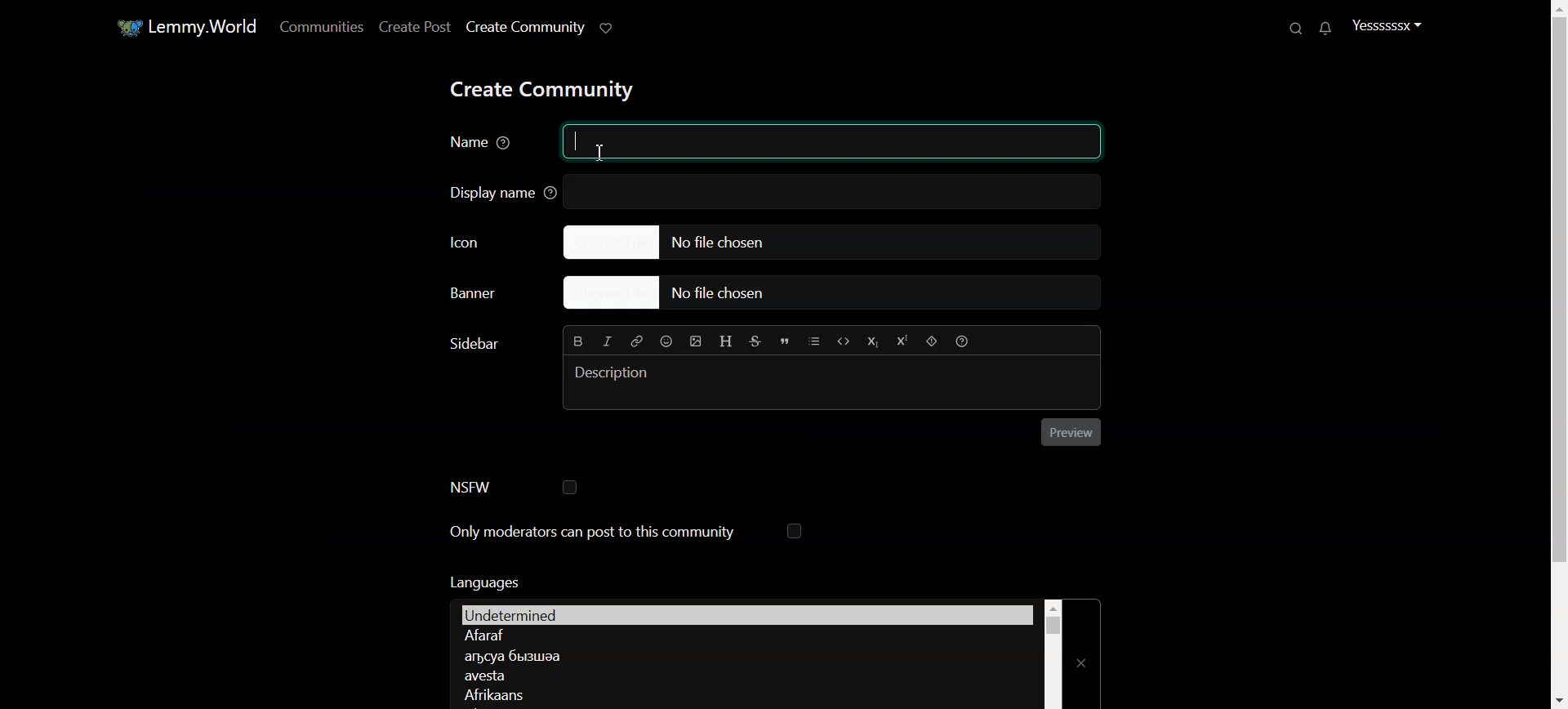 The height and width of the screenshot is (709, 1568). I want to click on Code, so click(844, 341).